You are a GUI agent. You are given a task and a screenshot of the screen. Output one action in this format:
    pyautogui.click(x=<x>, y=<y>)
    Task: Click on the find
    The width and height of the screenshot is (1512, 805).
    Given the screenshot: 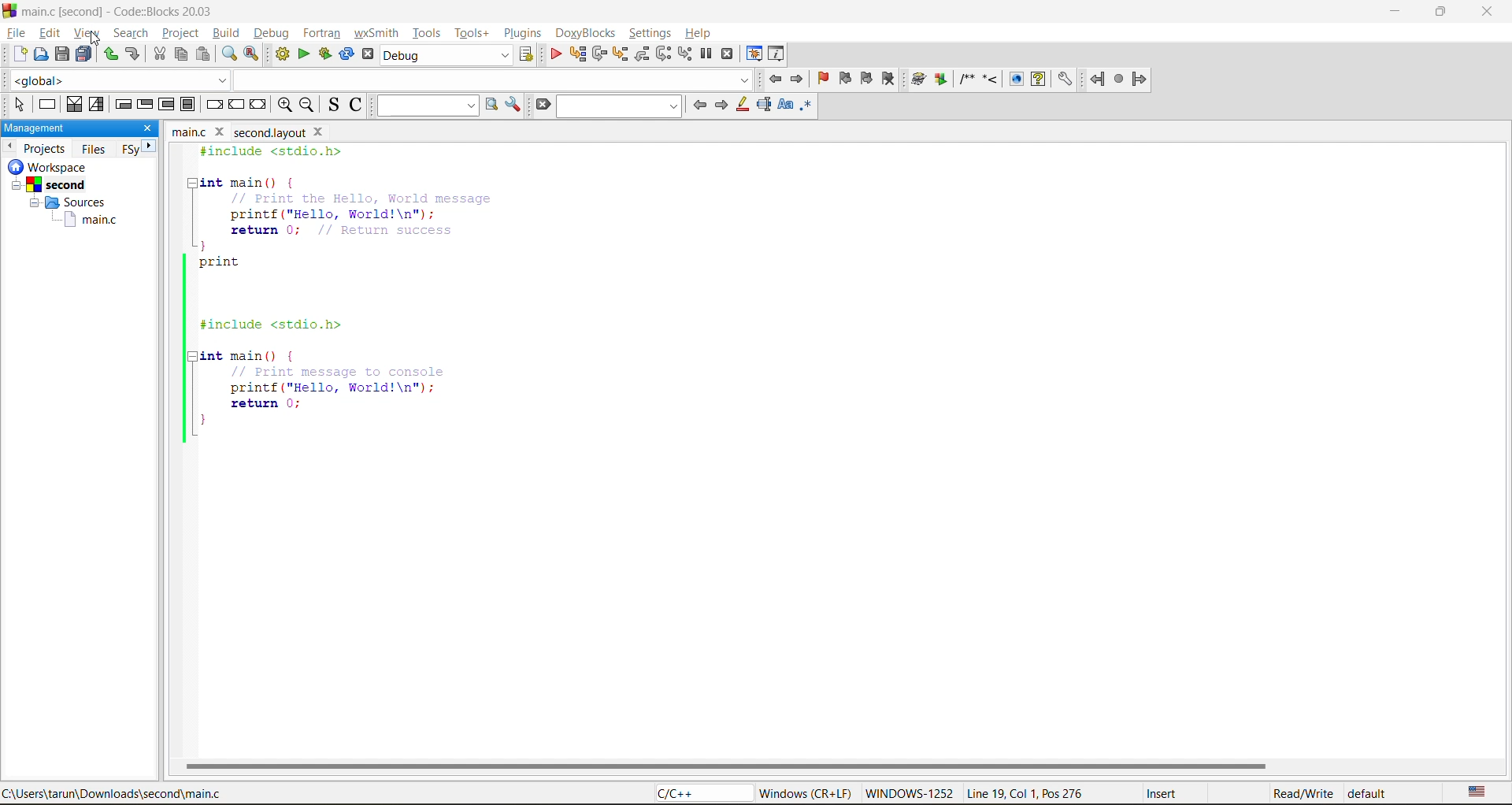 What is the action you would take?
    pyautogui.click(x=232, y=54)
    